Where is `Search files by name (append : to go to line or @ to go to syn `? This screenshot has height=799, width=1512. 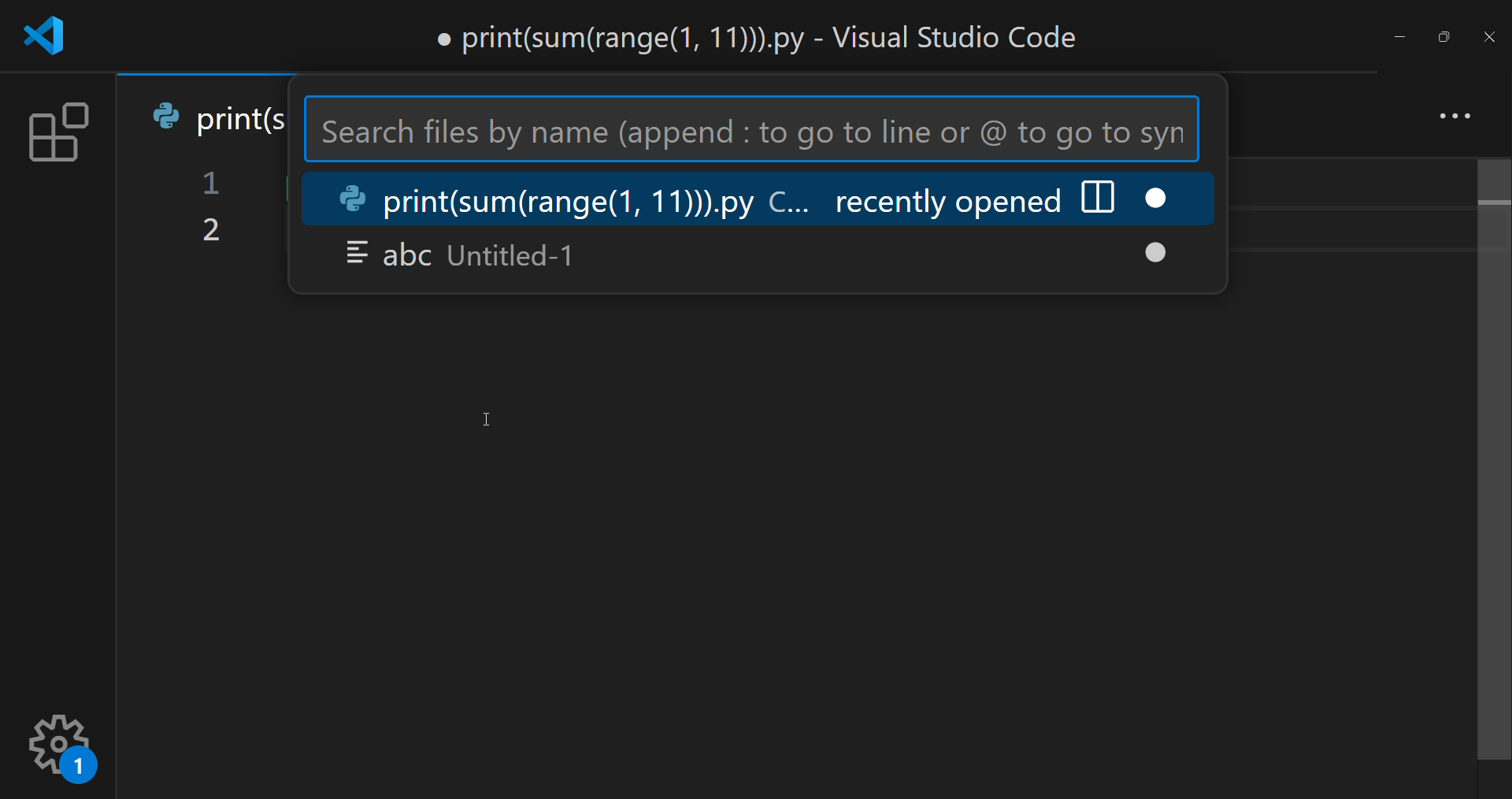
Search files by name (append : to go to line or @ to go to syn  is located at coordinates (754, 129).